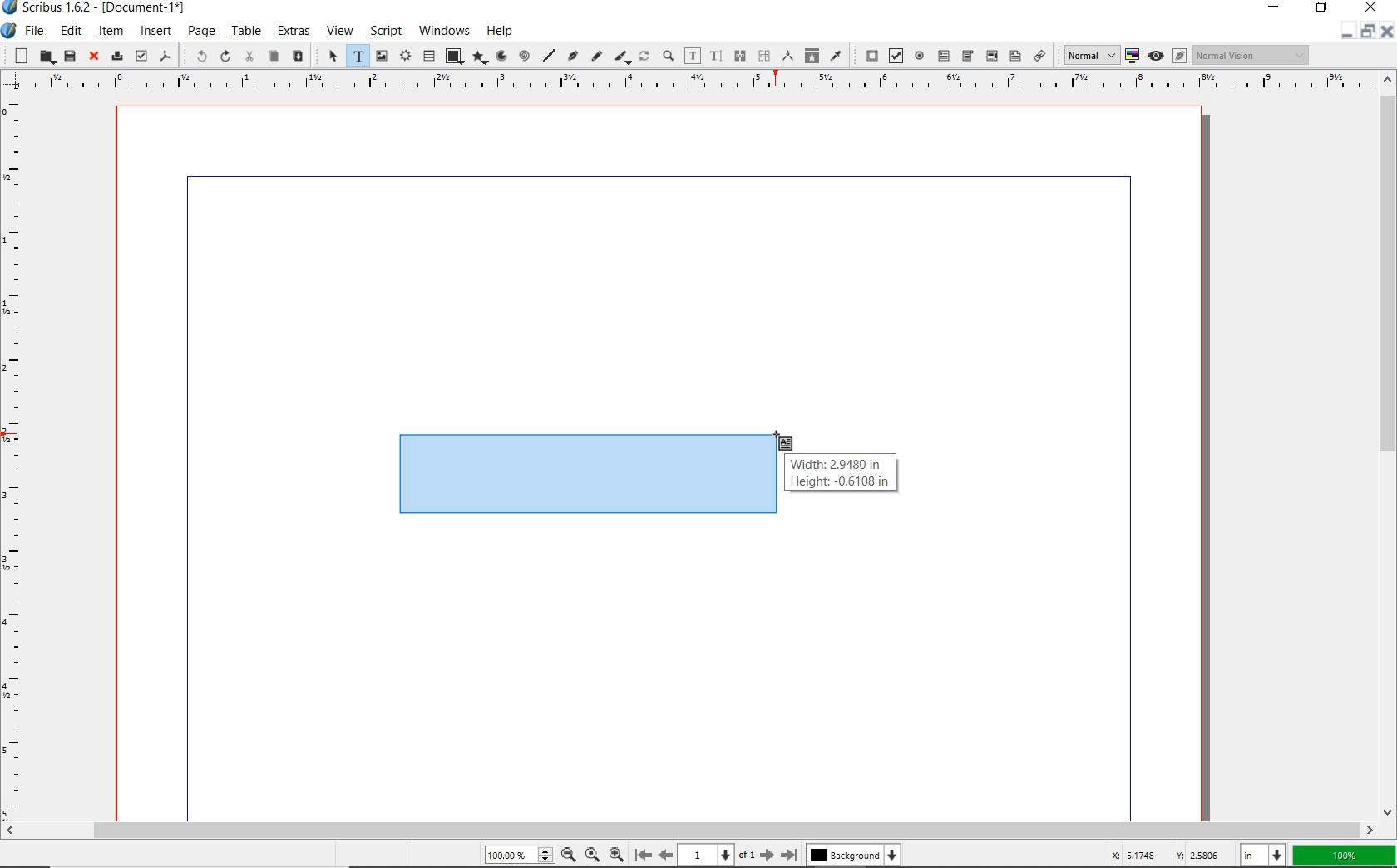 The width and height of the screenshot is (1397, 868). I want to click on freehand line, so click(595, 57).